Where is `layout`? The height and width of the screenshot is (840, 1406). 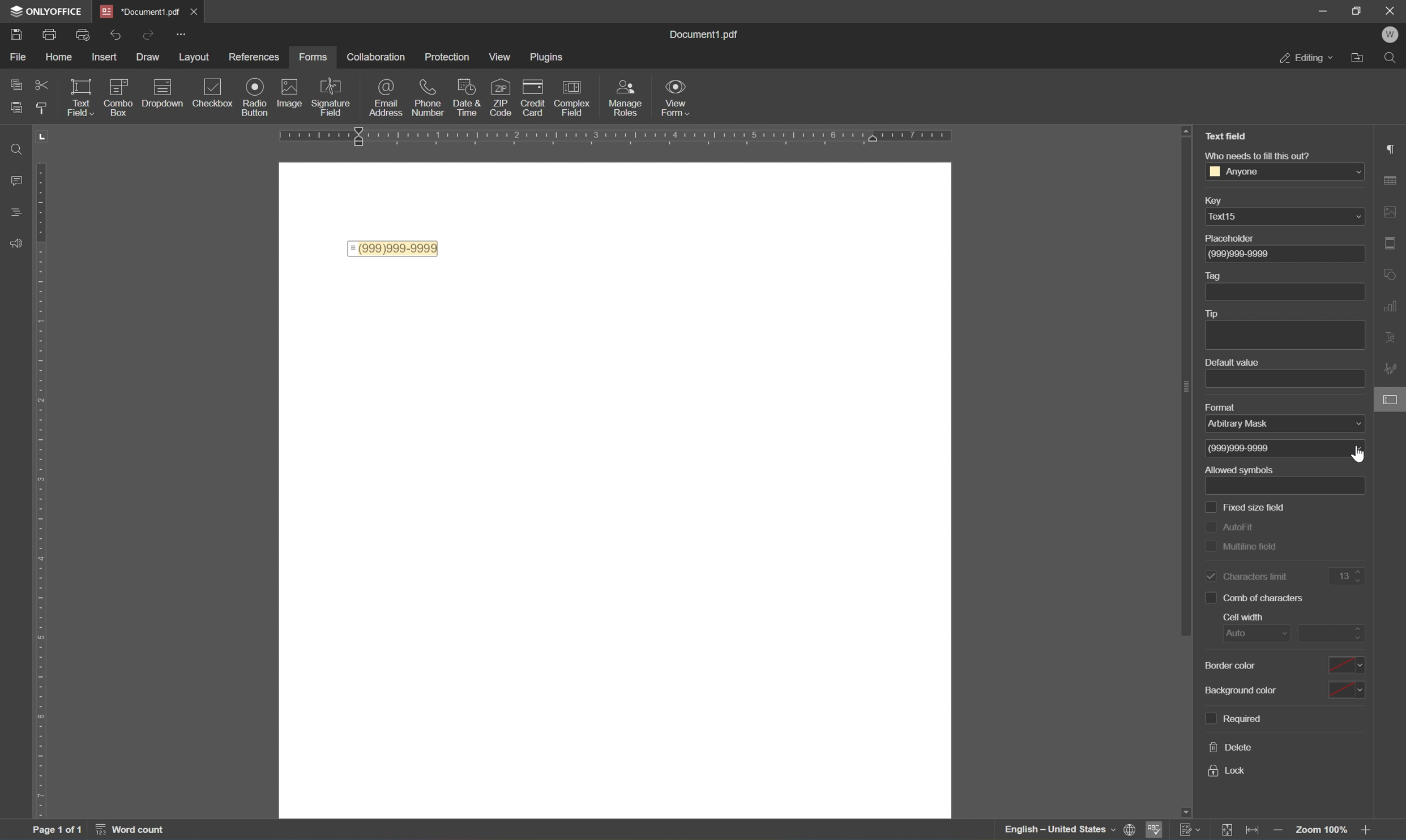
layout is located at coordinates (196, 57).